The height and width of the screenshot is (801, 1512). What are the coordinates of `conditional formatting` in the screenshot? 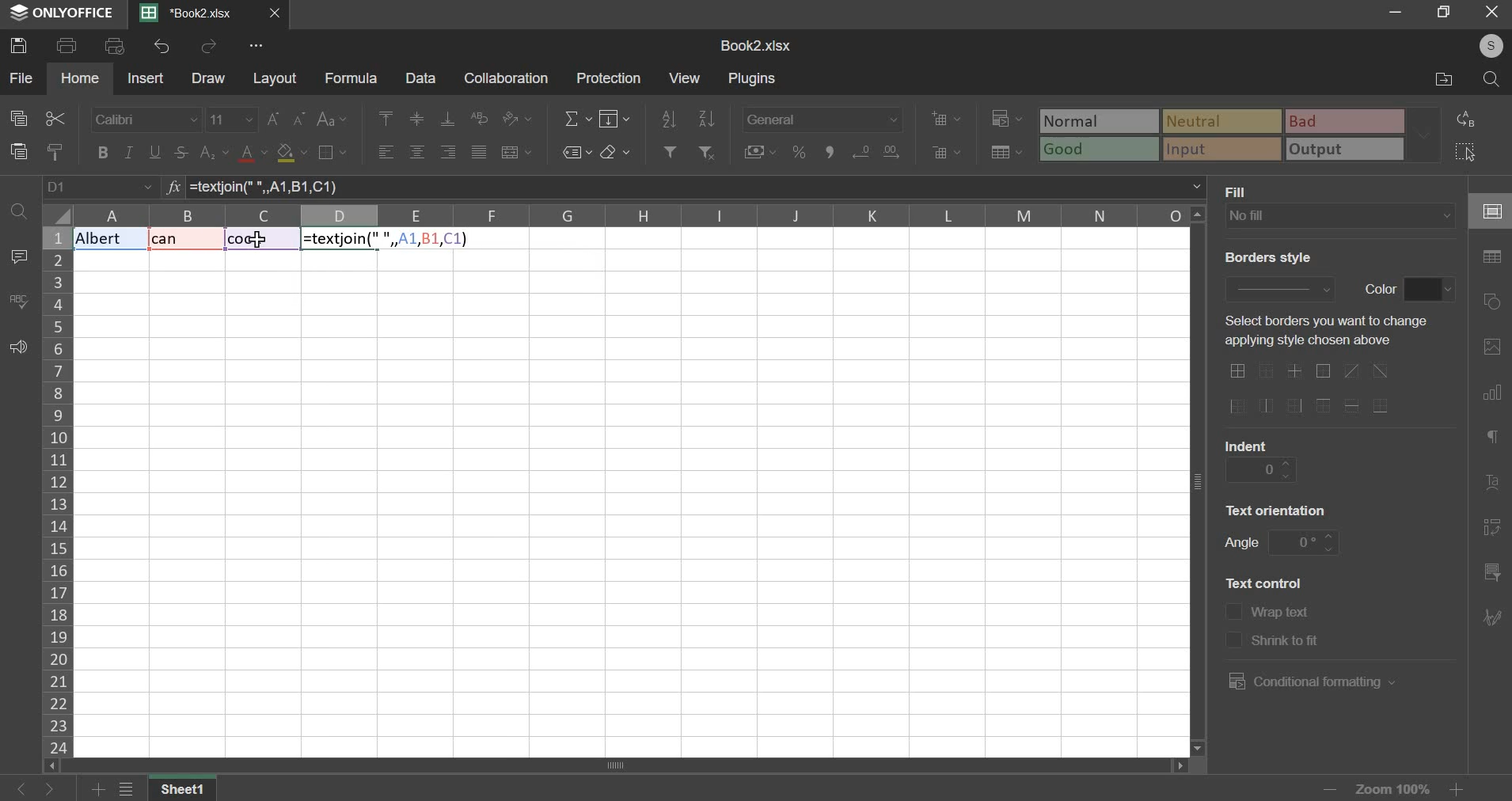 It's located at (1005, 120).